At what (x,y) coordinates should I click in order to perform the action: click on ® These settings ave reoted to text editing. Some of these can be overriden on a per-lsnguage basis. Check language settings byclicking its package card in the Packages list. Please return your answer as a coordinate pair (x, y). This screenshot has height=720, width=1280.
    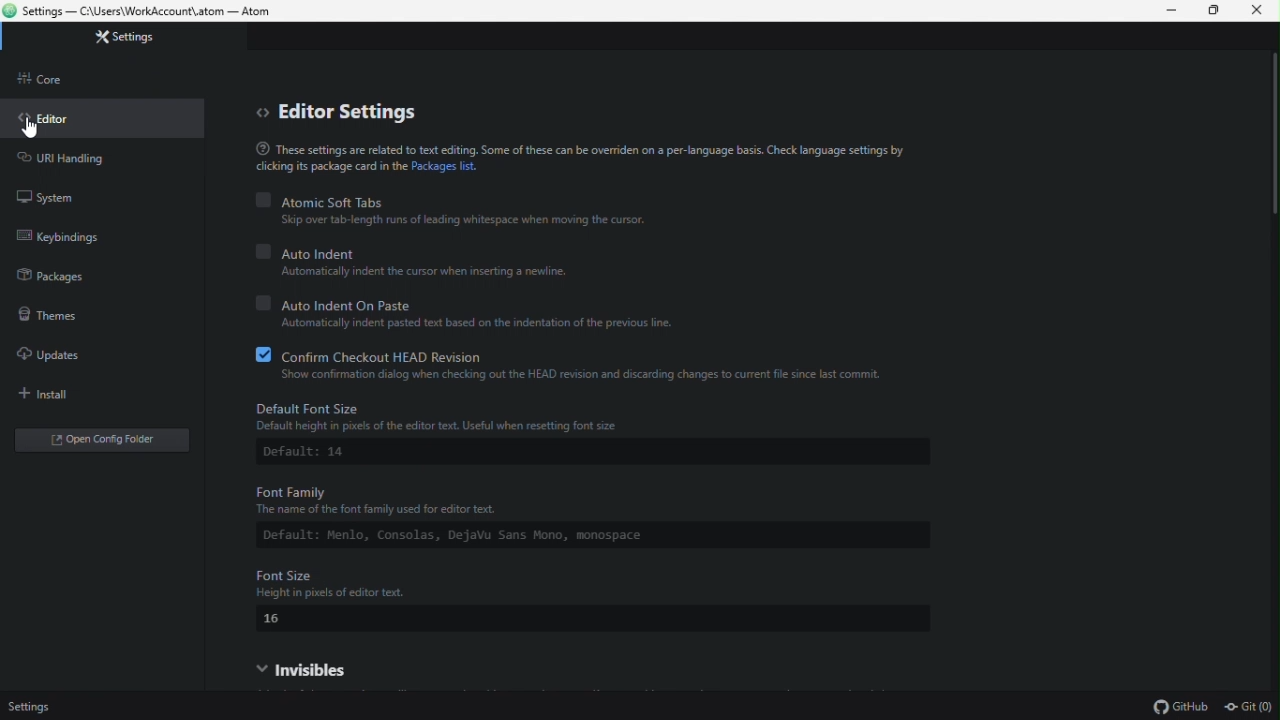
    Looking at the image, I should click on (584, 157).